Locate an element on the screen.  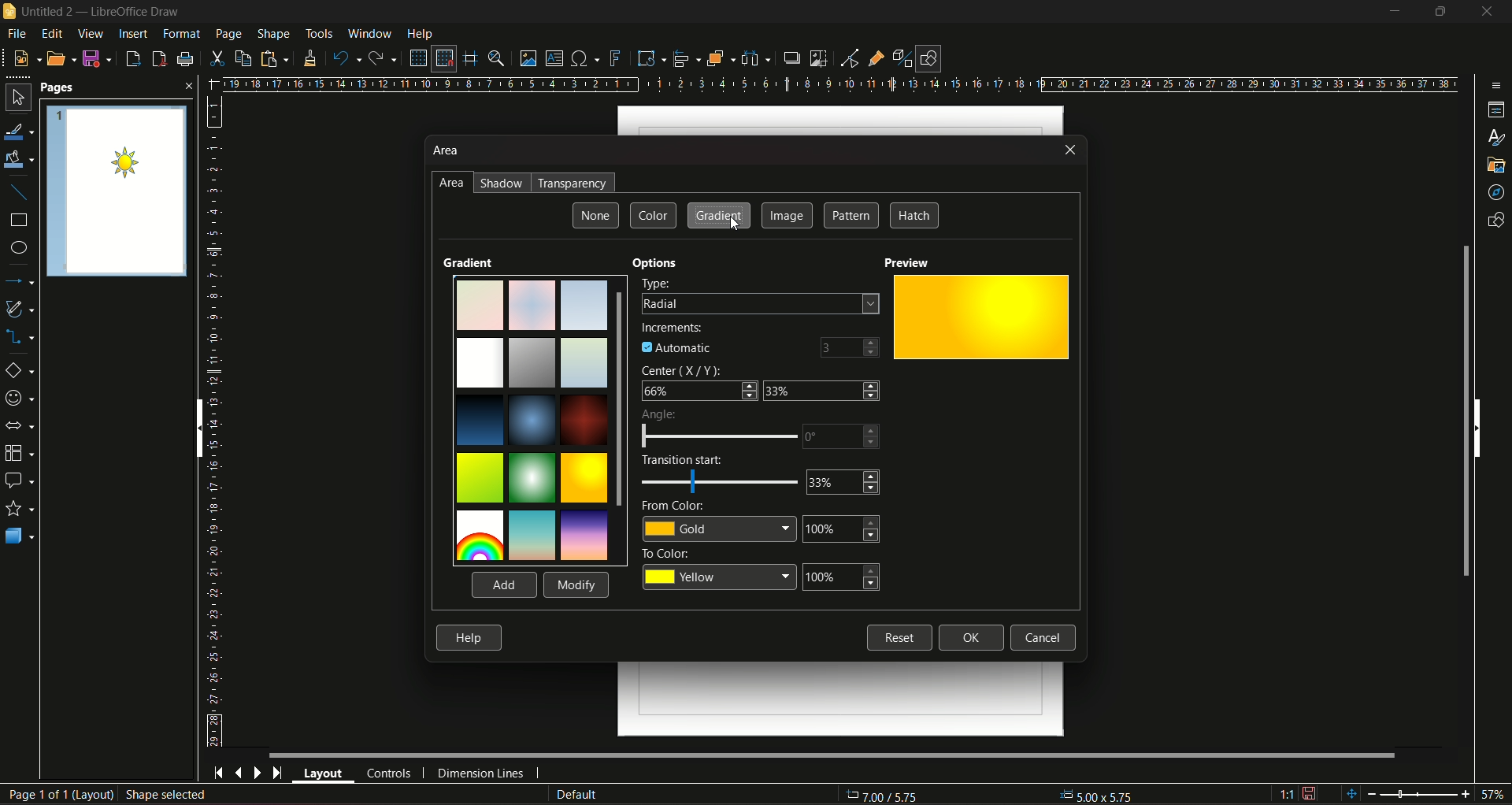
preview is located at coordinates (909, 261).